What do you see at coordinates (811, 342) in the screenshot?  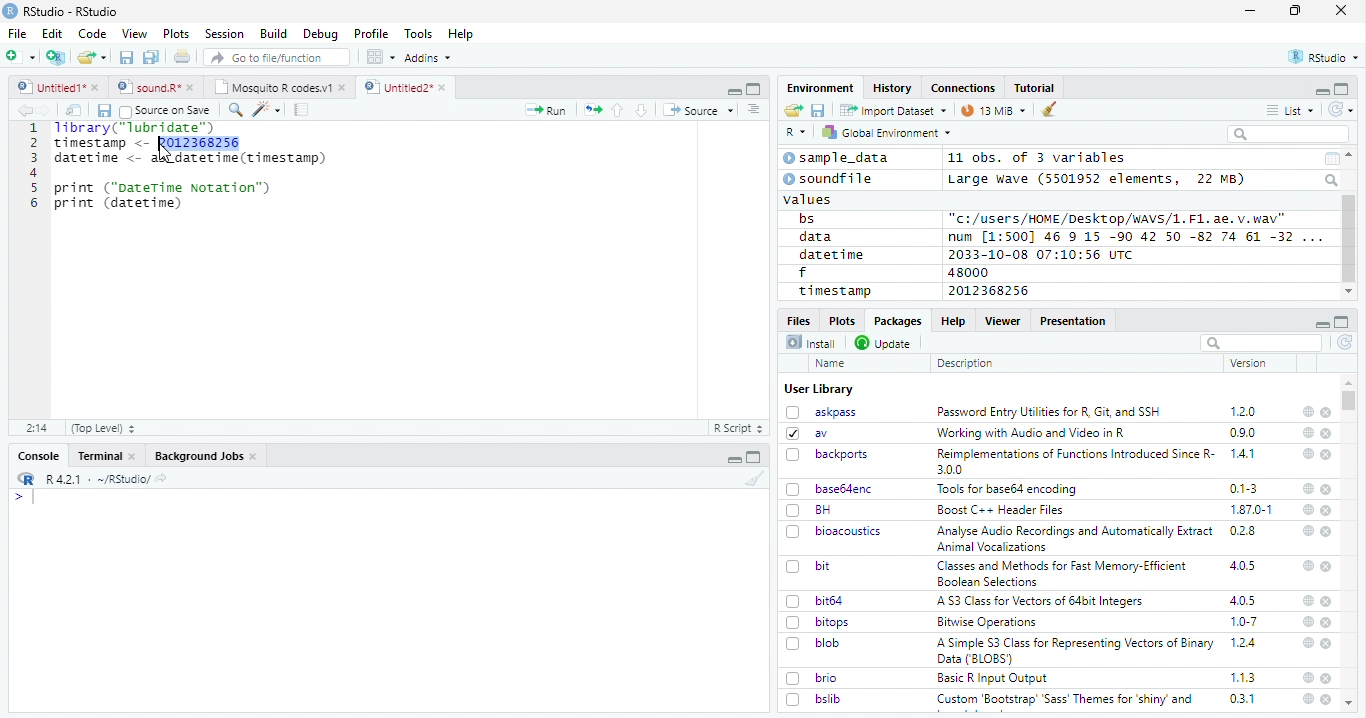 I see `Install` at bounding box center [811, 342].